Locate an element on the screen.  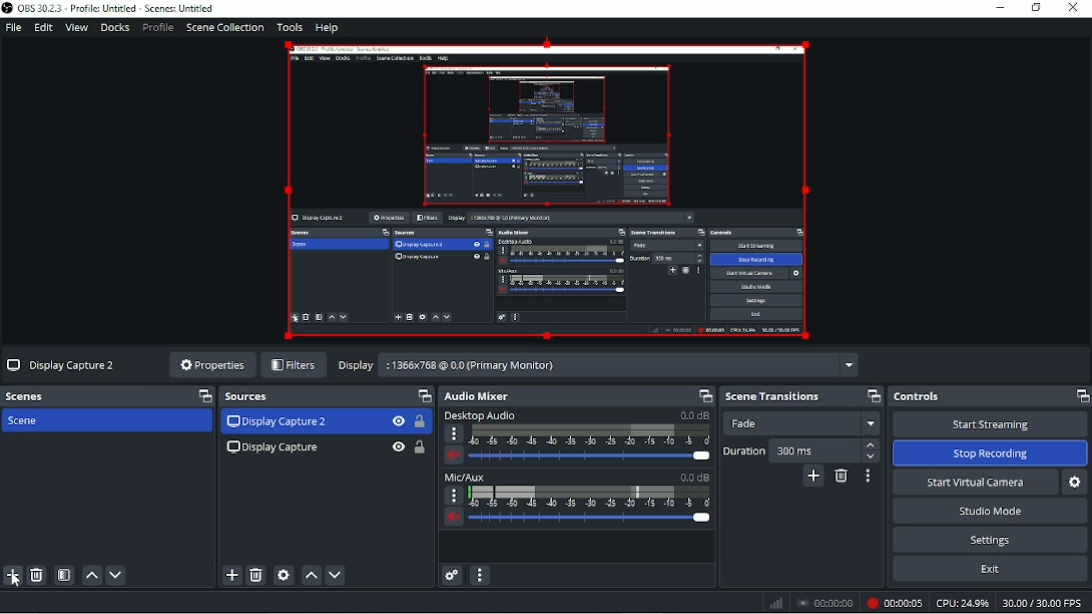
Scale is located at coordinates (592, 435).